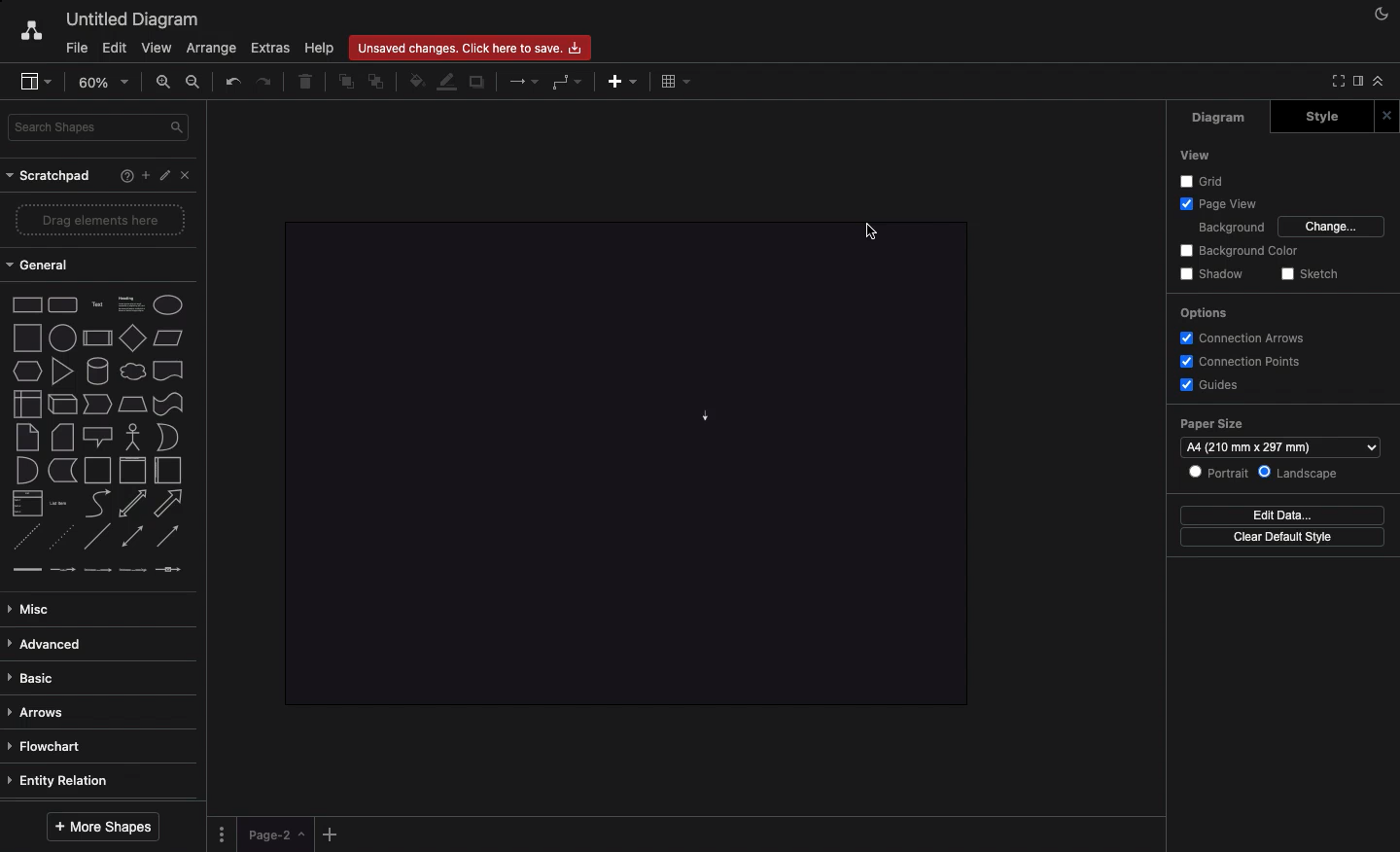 The width and height of the screenshot is (1400, 852). Describe the element at coordinates (186, 175) in the screenshot. I see `Close` at that location.